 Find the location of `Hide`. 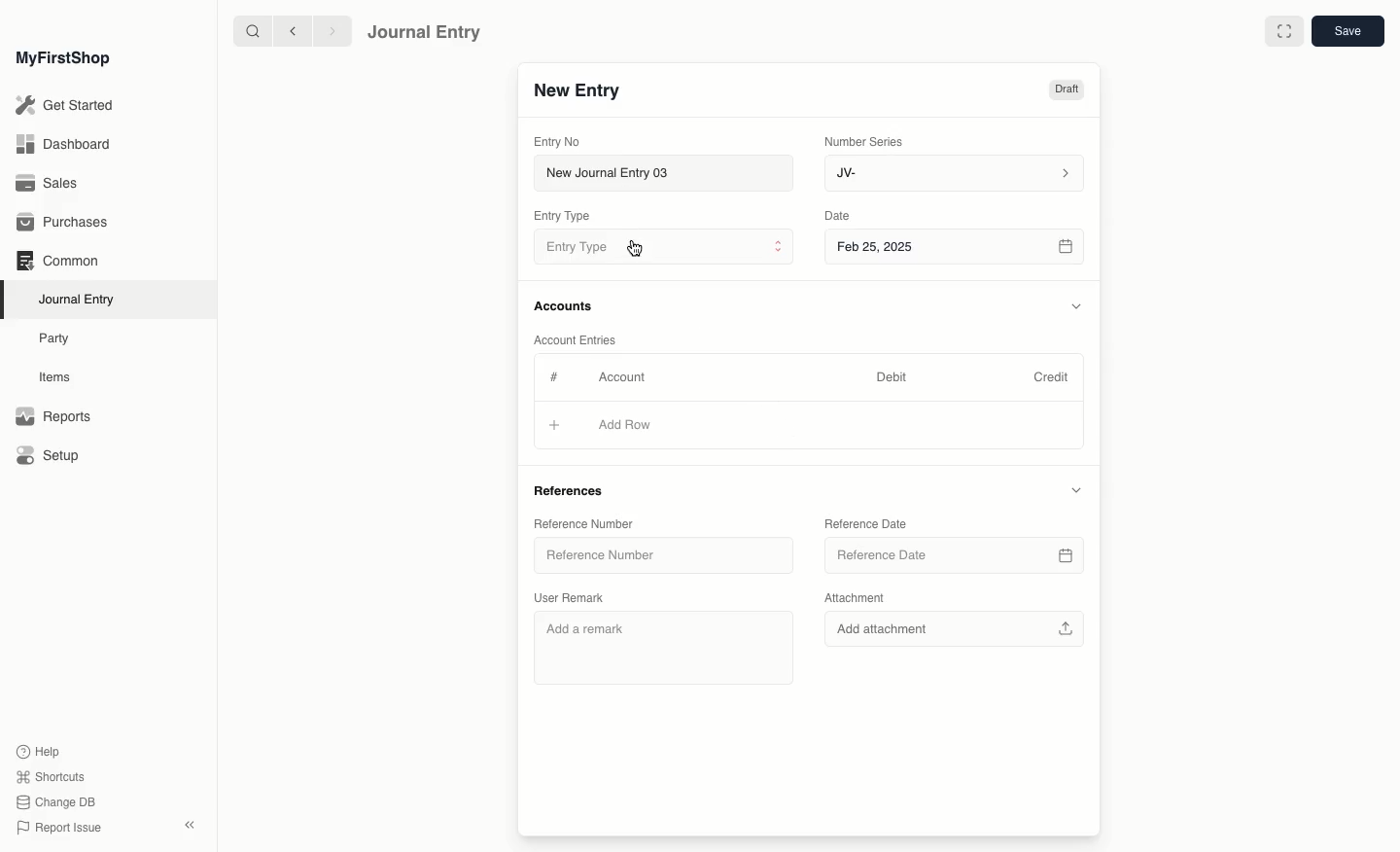

Hide is located at coordinates (1074, 306).